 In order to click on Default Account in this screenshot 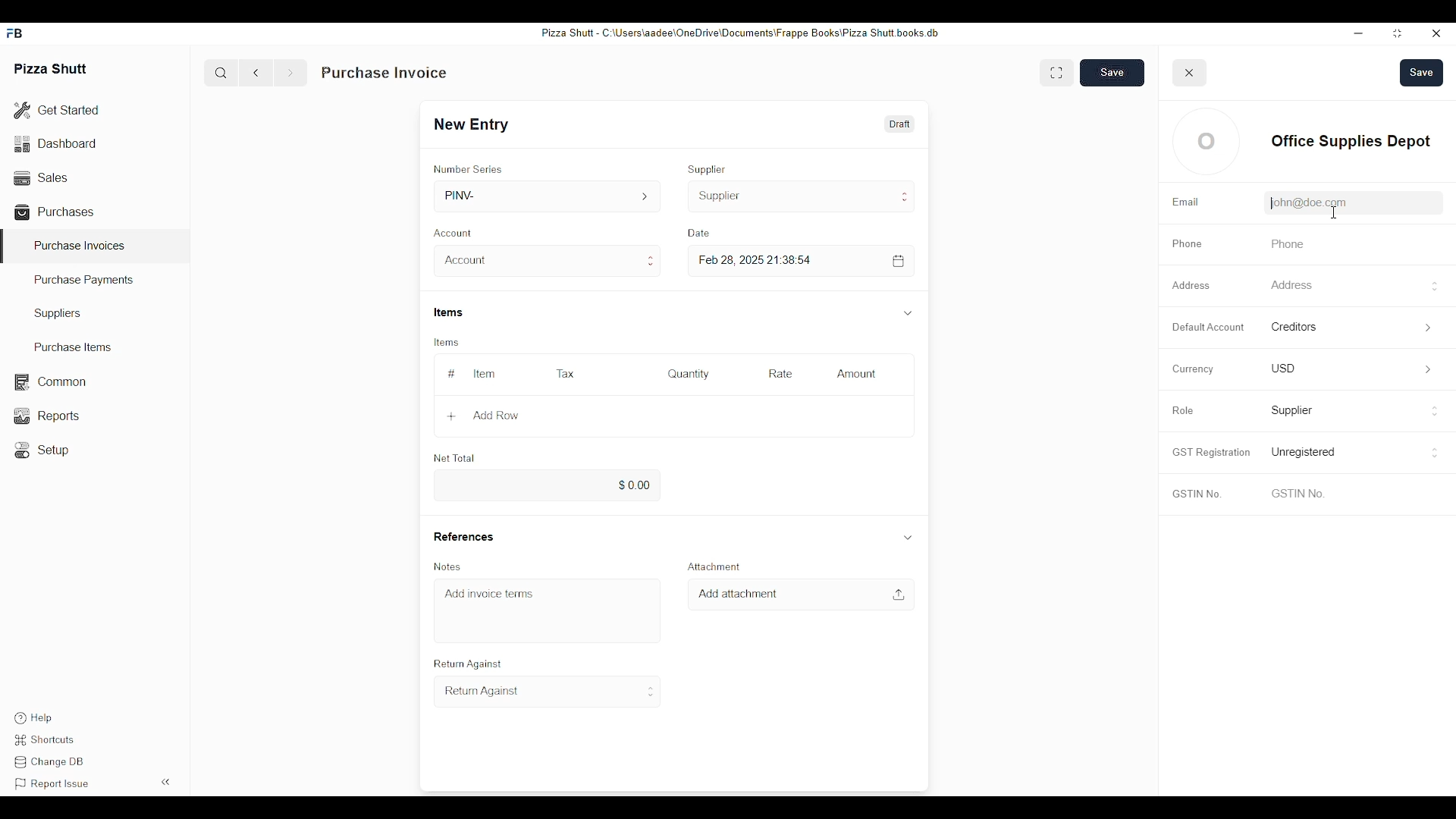, I will do `click(1310, 326)`.